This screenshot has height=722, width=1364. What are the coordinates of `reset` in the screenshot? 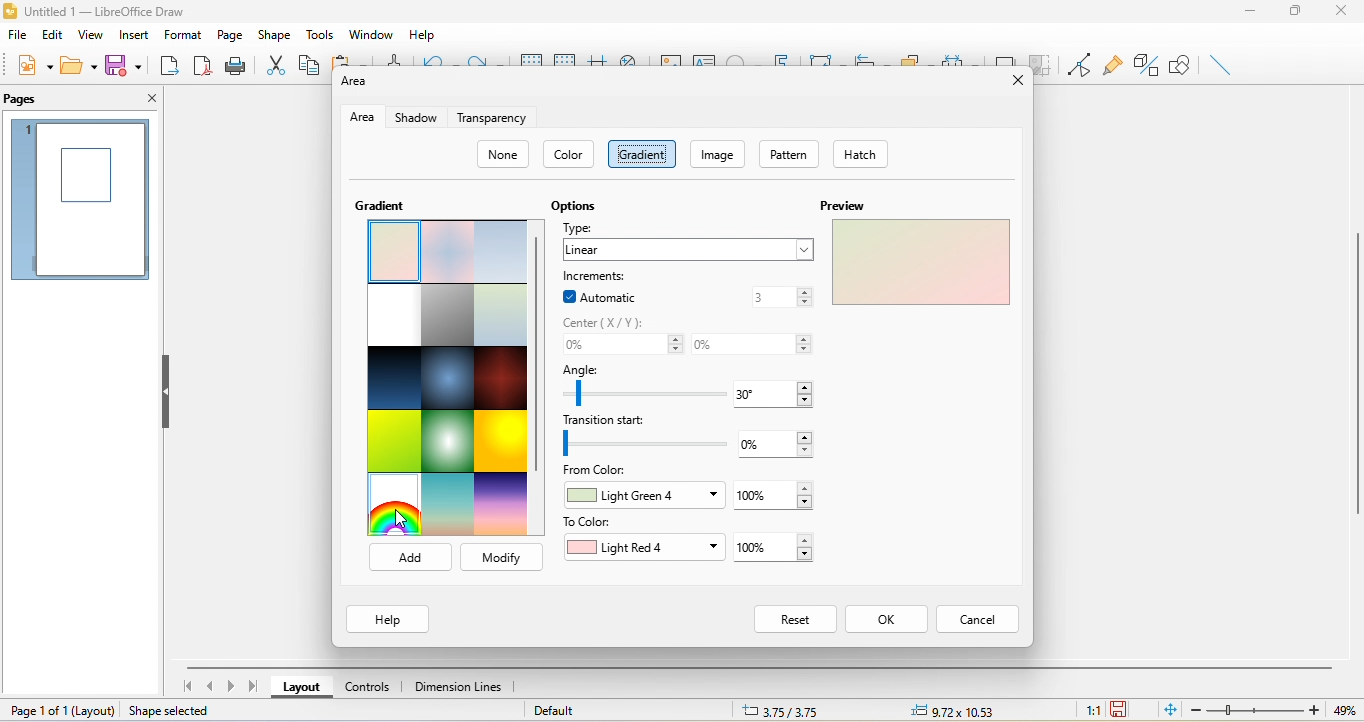 It's located at (795, 621).